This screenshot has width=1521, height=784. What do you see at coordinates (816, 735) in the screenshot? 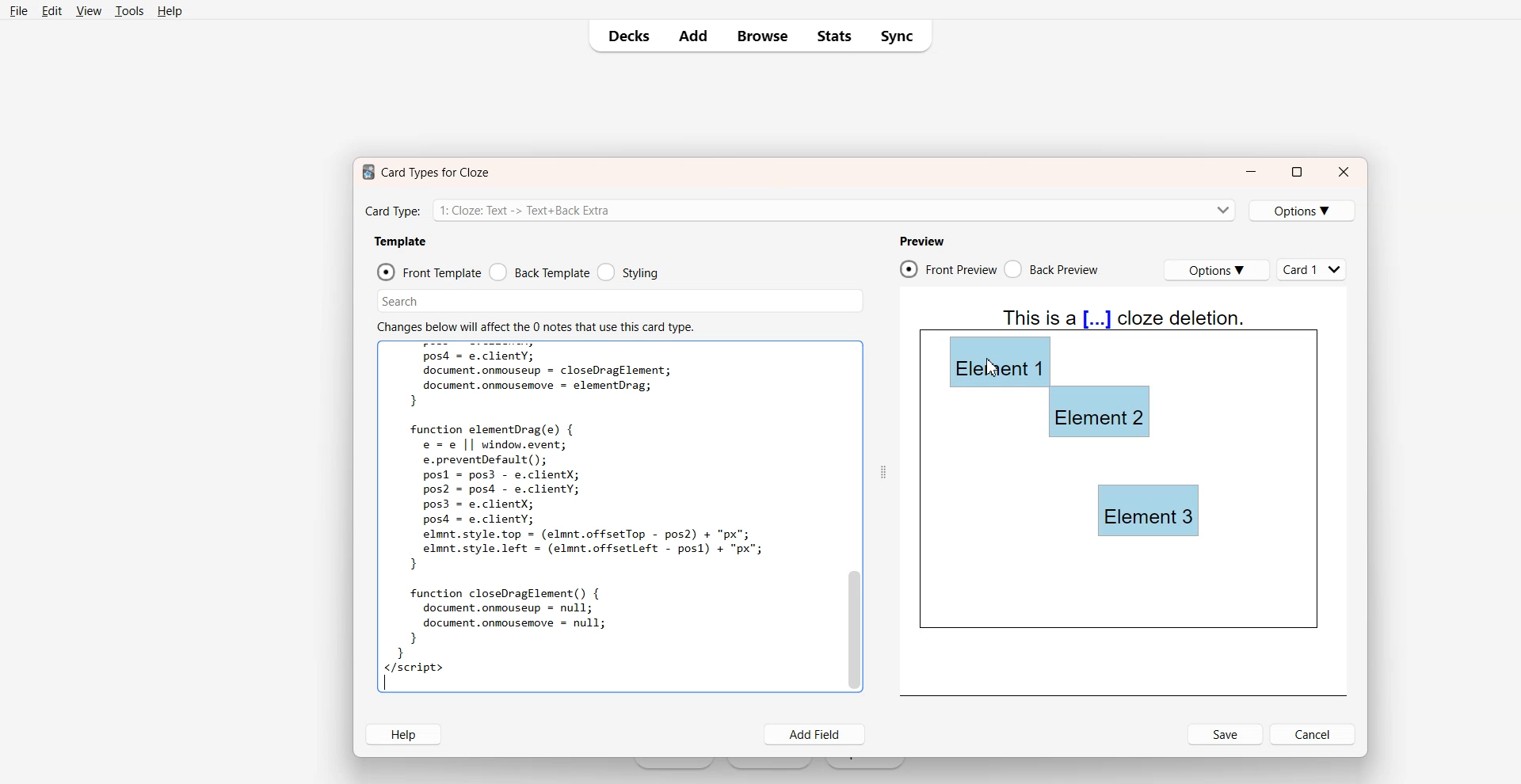
I see `Add Field` at bounding box center [816, 735].